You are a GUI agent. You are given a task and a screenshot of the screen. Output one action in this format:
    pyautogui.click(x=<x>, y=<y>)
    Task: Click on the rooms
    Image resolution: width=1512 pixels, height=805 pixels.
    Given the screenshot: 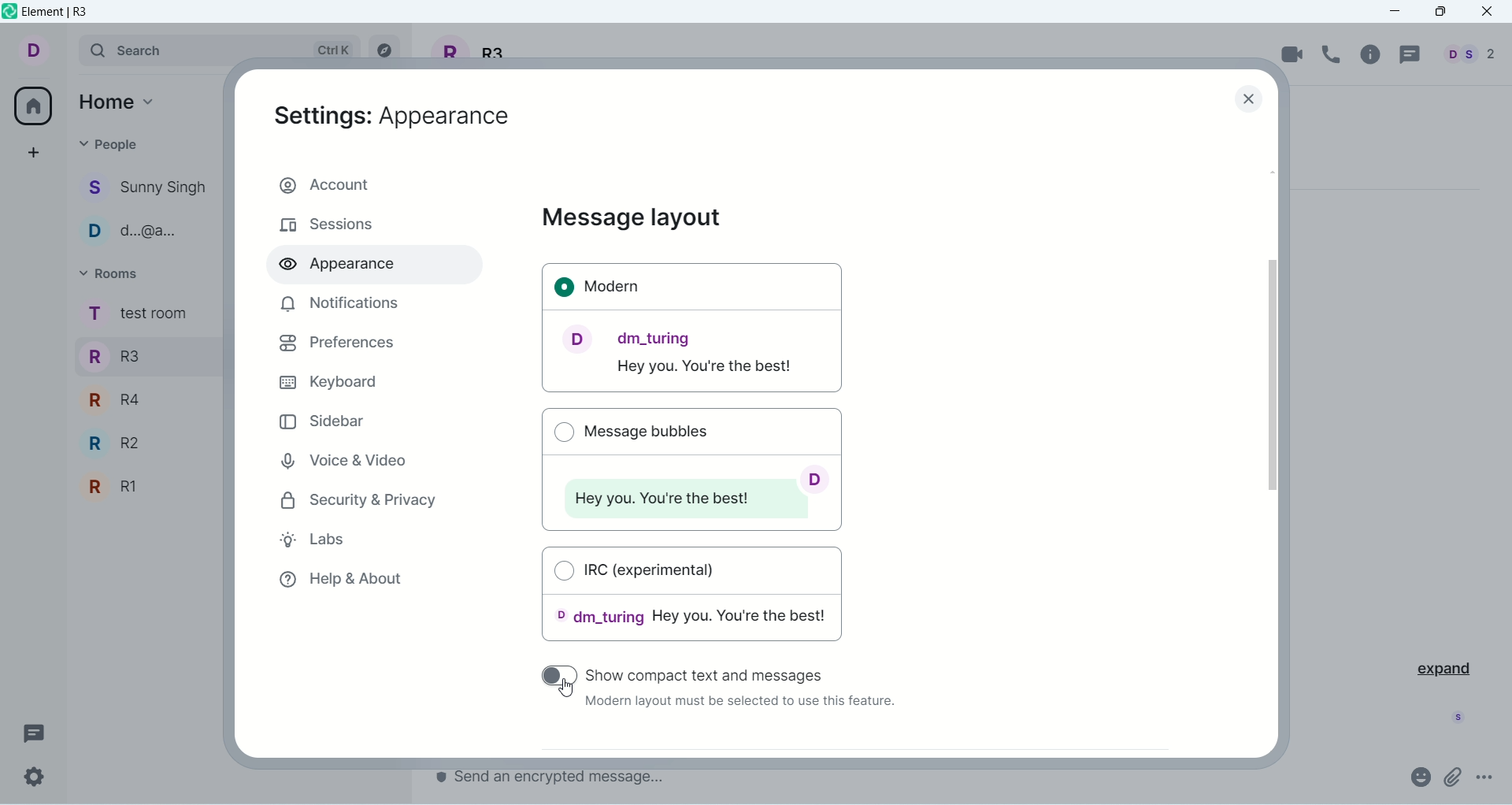 What is the action you would take?
    pyautogui.click(x=135, y=315)
    